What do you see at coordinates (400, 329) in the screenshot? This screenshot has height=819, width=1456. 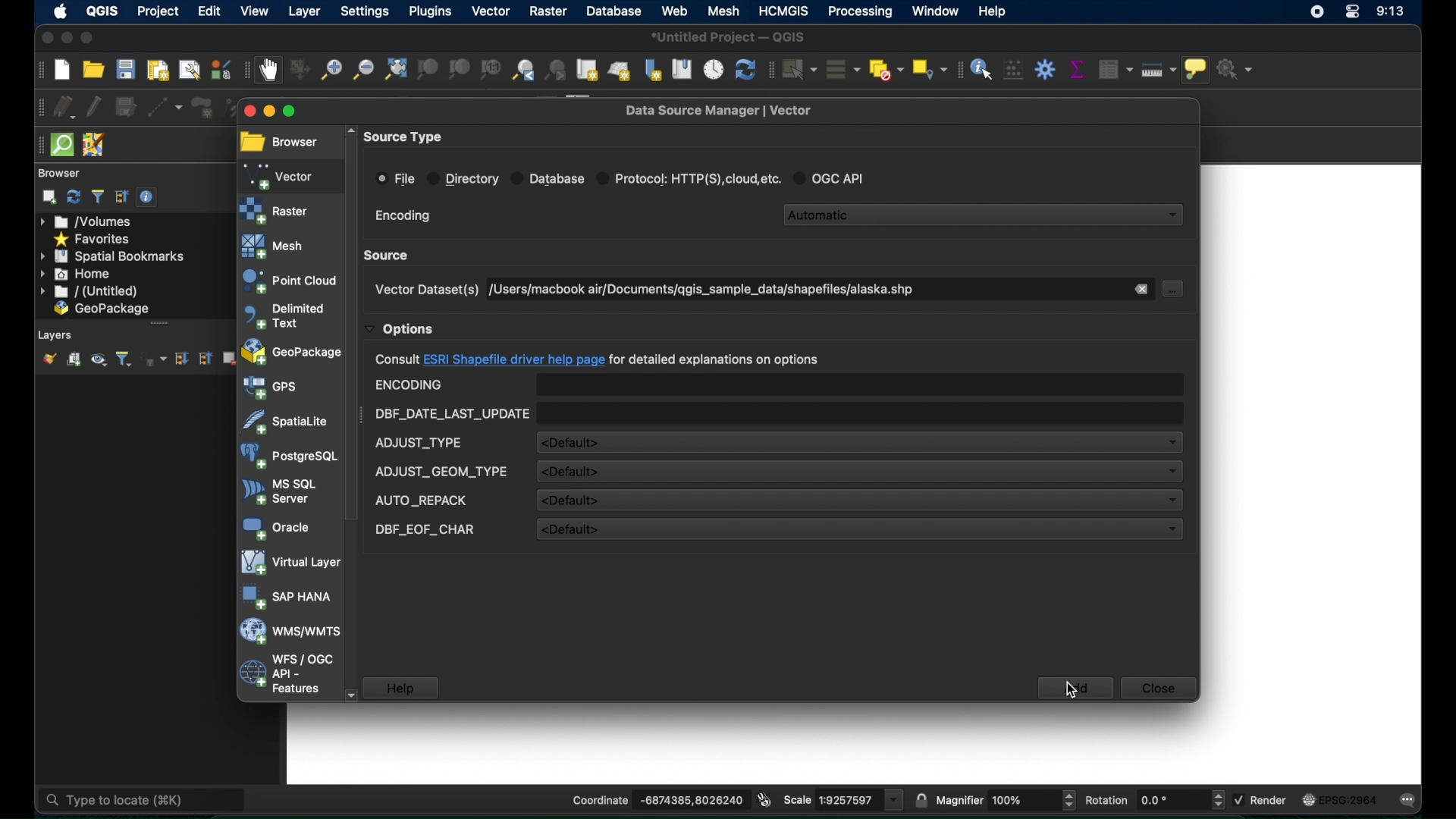 I see `options dropdown` at bounding box center [400, 329].